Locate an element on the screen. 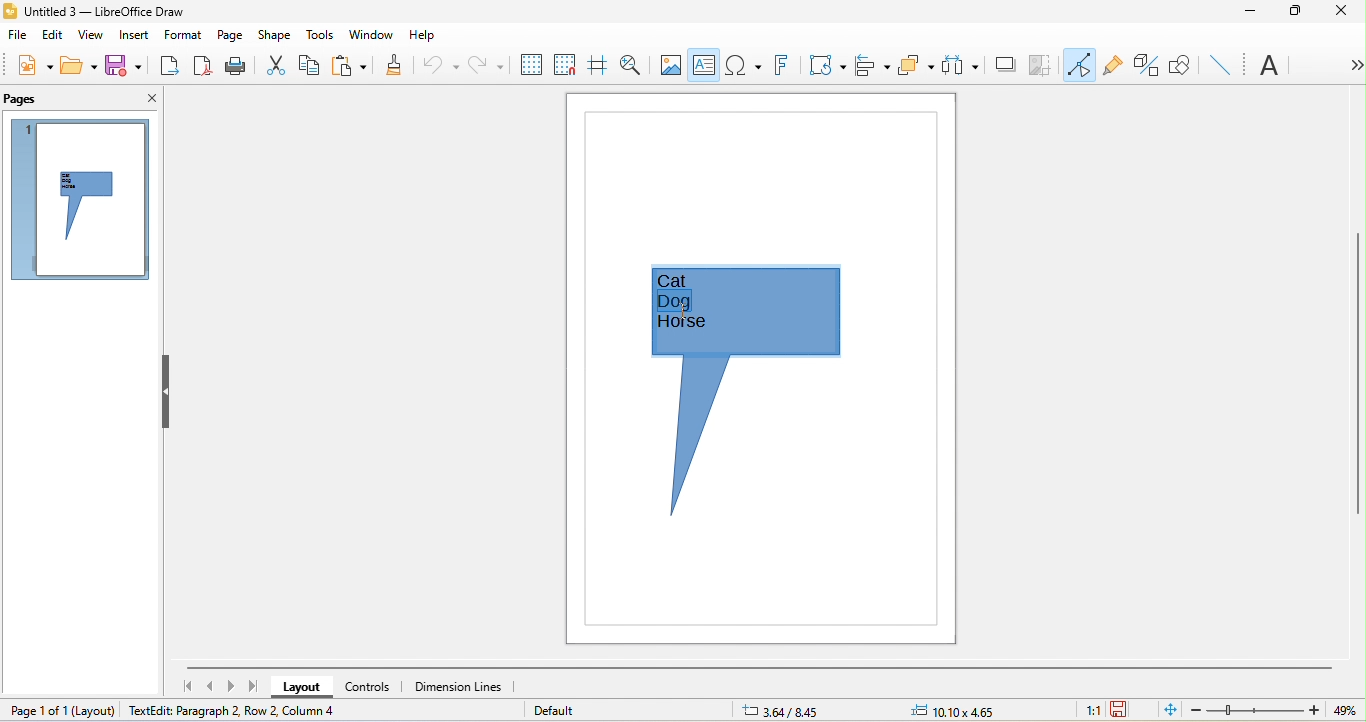 The width and height of the screenshot is (1366, 722). transformation is located at coordinates (827, 68).